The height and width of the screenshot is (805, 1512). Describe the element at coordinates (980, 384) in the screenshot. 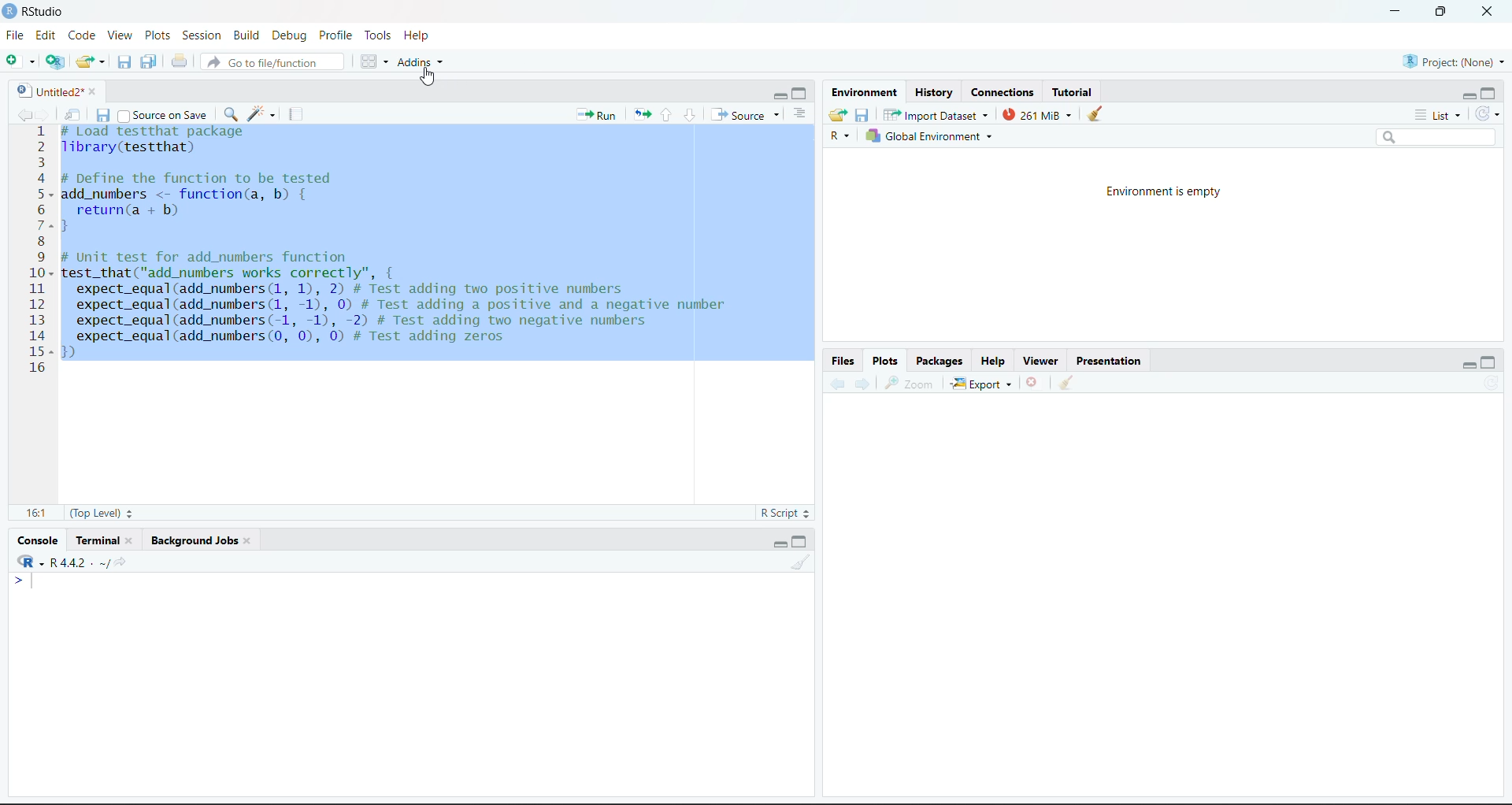

I see `Export` at that location.